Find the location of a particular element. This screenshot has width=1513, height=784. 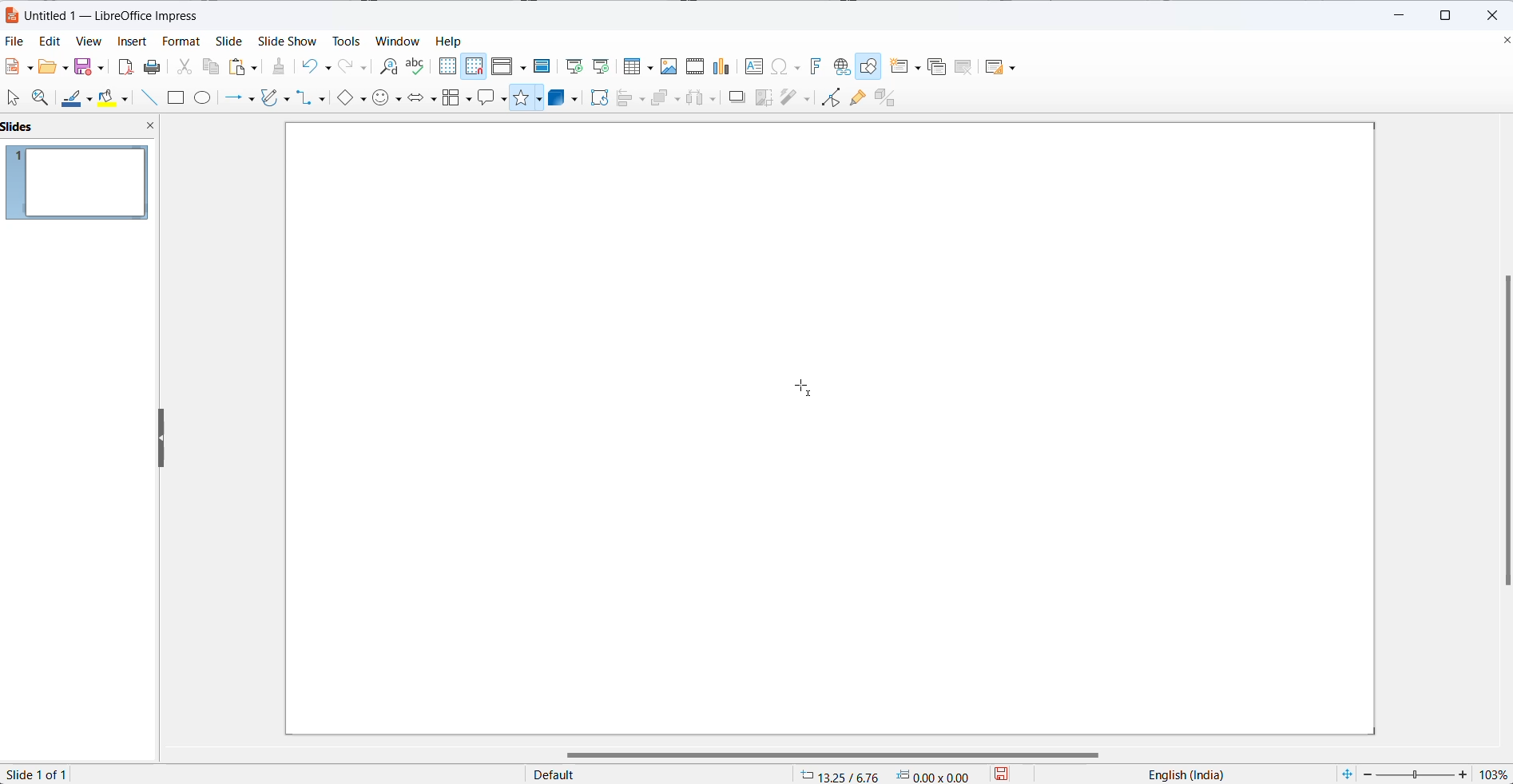

DELETE SLIDE is located at coordinates (964, 69).